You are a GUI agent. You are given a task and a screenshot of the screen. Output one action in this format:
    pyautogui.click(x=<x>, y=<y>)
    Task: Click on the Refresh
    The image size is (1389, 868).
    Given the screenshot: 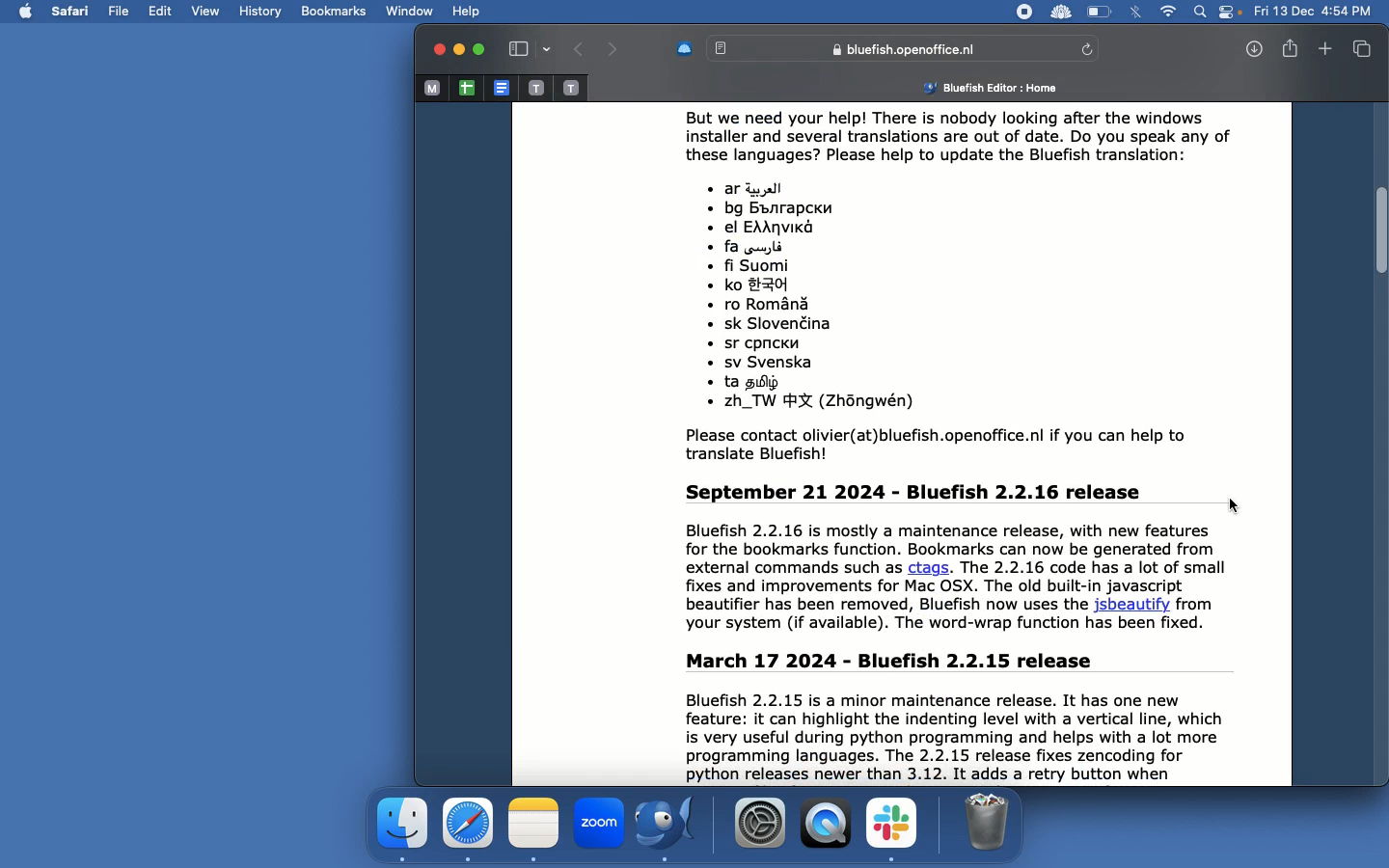 What is the action you would take?
    pyautogui.click(x=1088, y=48)
    